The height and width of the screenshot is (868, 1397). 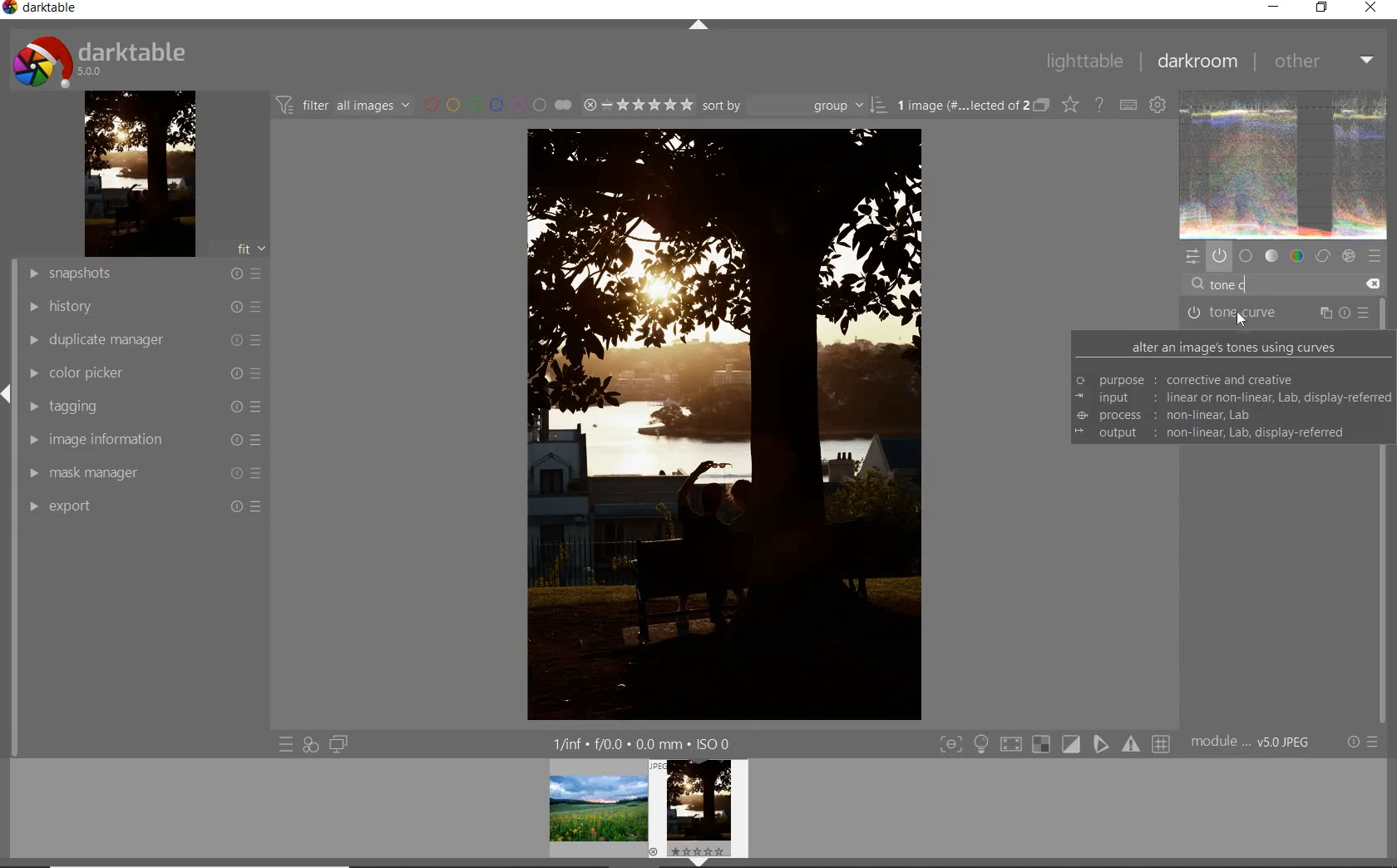 What do you see at coordinates (1271, 7) in the screenshot?
I see `minimize` at bounding box center [1271, 7].